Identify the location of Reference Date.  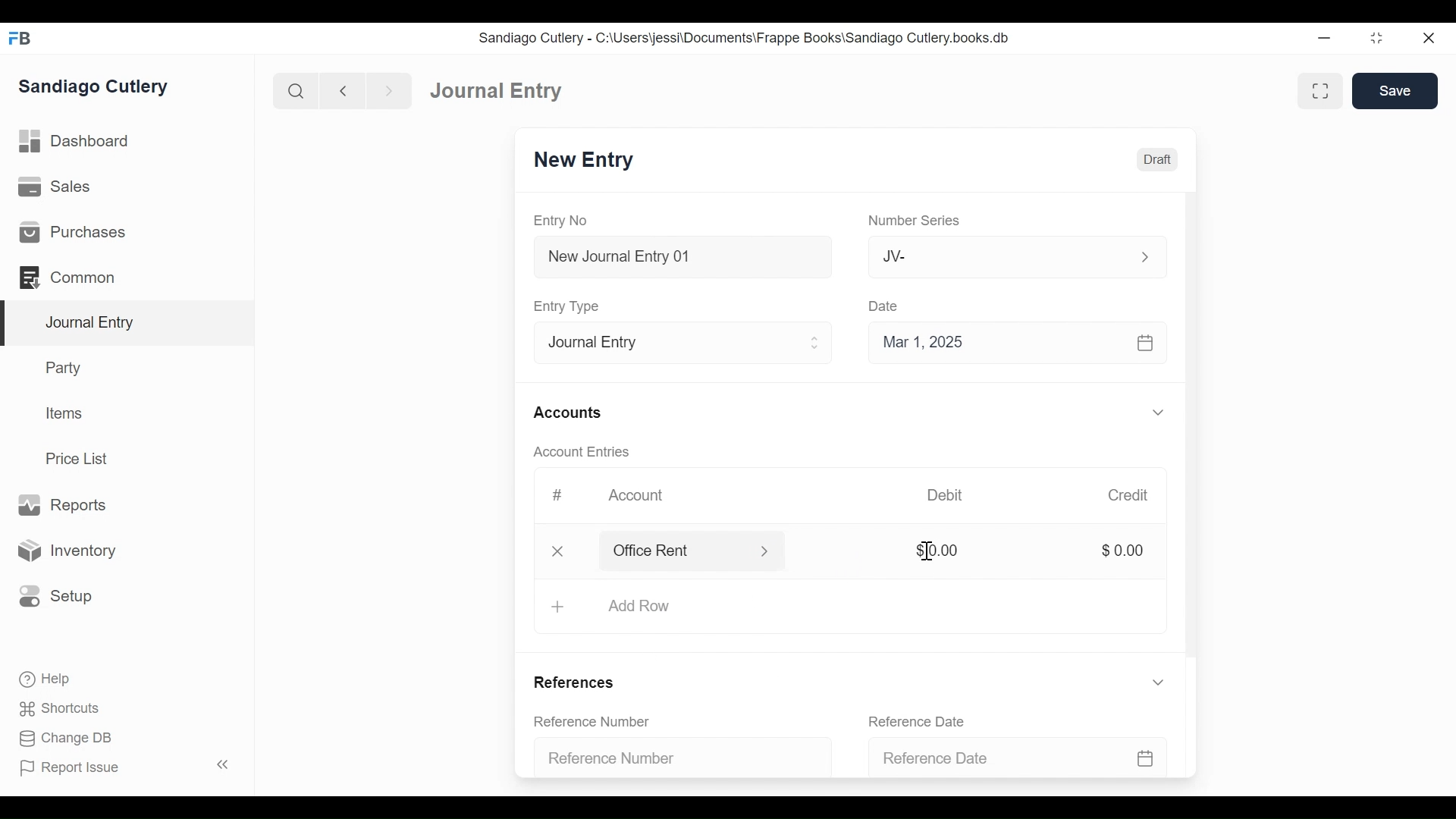
(918, 720).